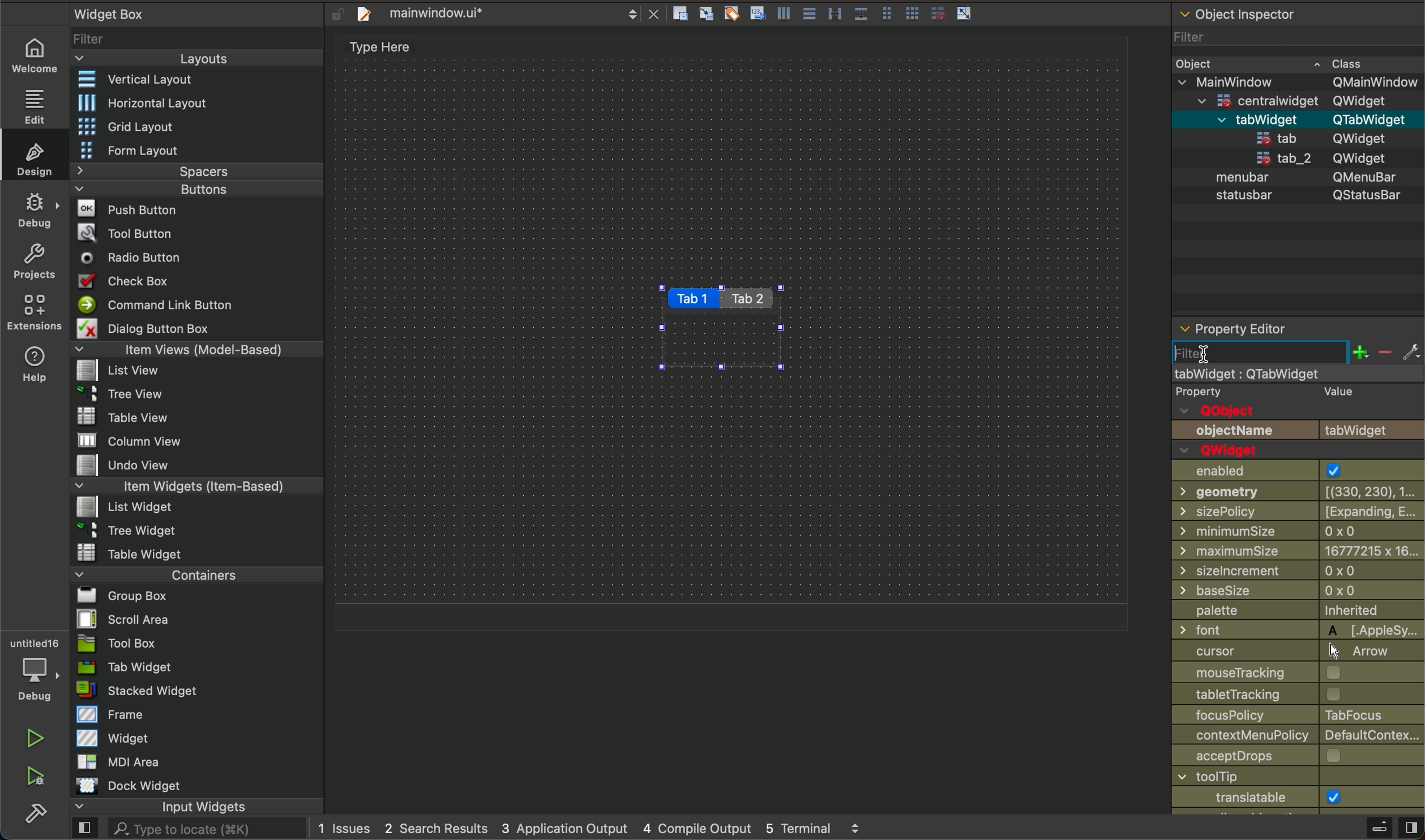 The height and width of the screenshot is (840, 1425). I want to click on , so click(1301, 796).